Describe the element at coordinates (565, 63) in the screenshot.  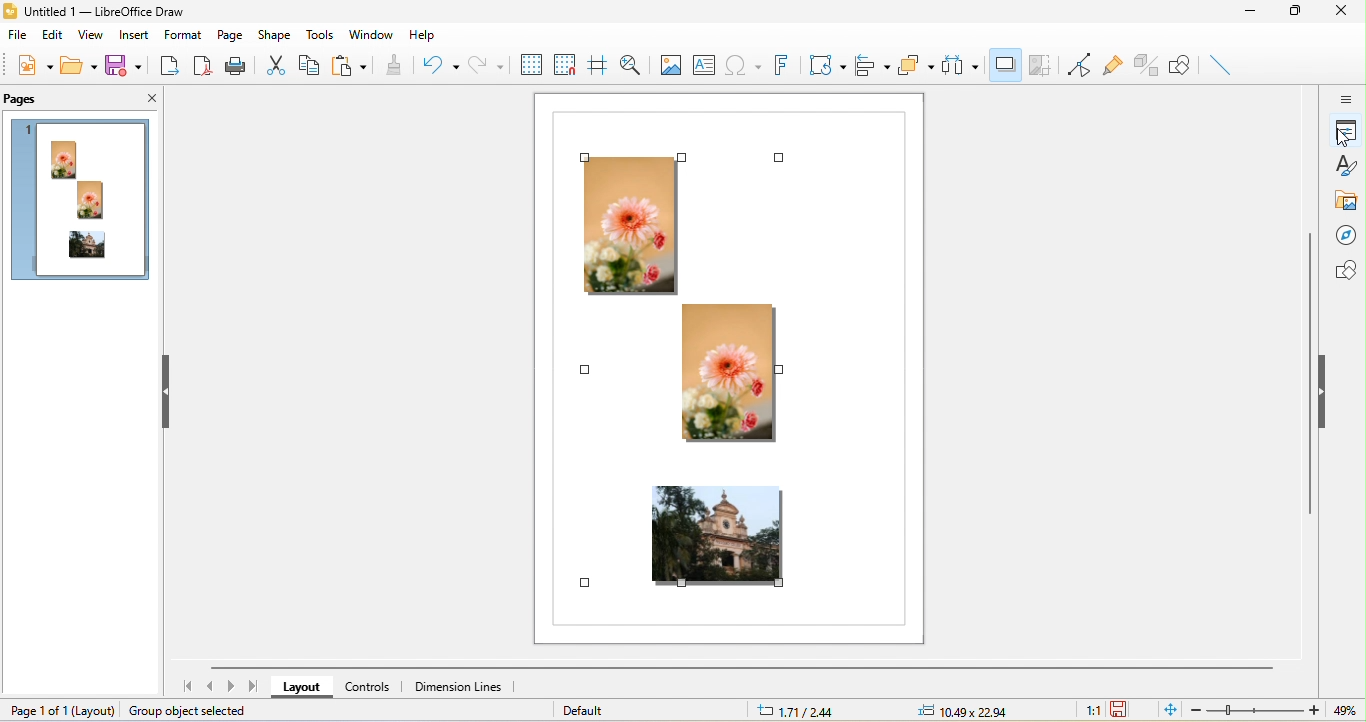
I see `snap to grids` at that location.